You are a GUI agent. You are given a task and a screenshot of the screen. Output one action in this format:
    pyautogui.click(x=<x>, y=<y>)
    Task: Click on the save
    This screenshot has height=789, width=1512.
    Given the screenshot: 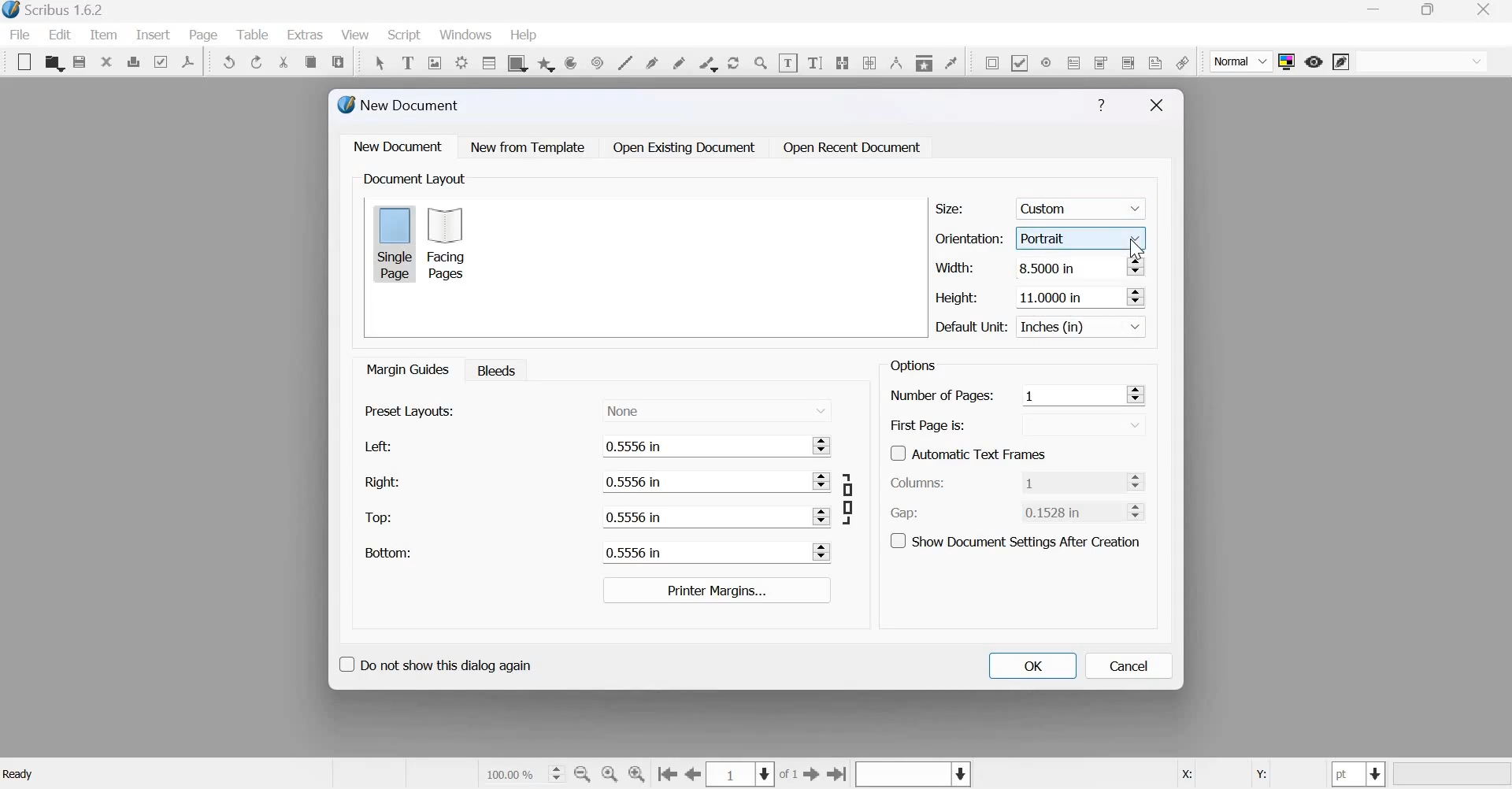 What is the action you would take?
    pyautogui.click(x=80, y=62)
    